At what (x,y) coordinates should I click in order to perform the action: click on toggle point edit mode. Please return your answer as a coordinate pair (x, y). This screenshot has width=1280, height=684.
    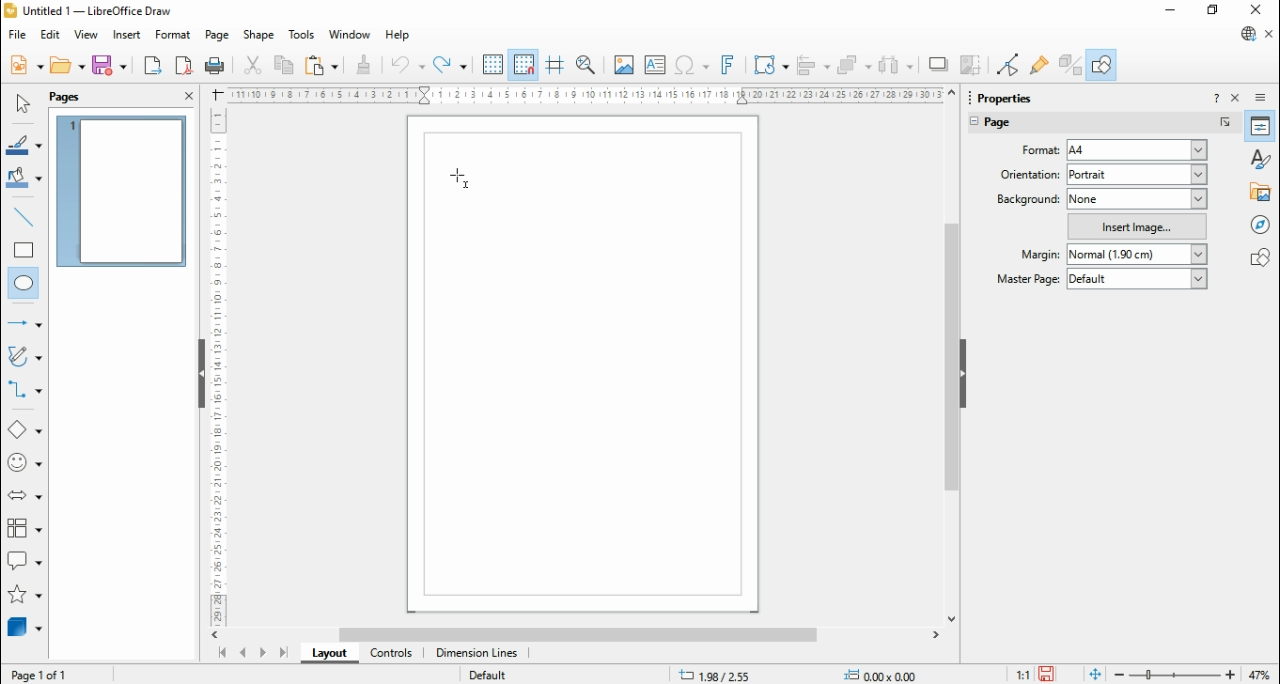
    Looking at the image, I should click on (1010, 65).